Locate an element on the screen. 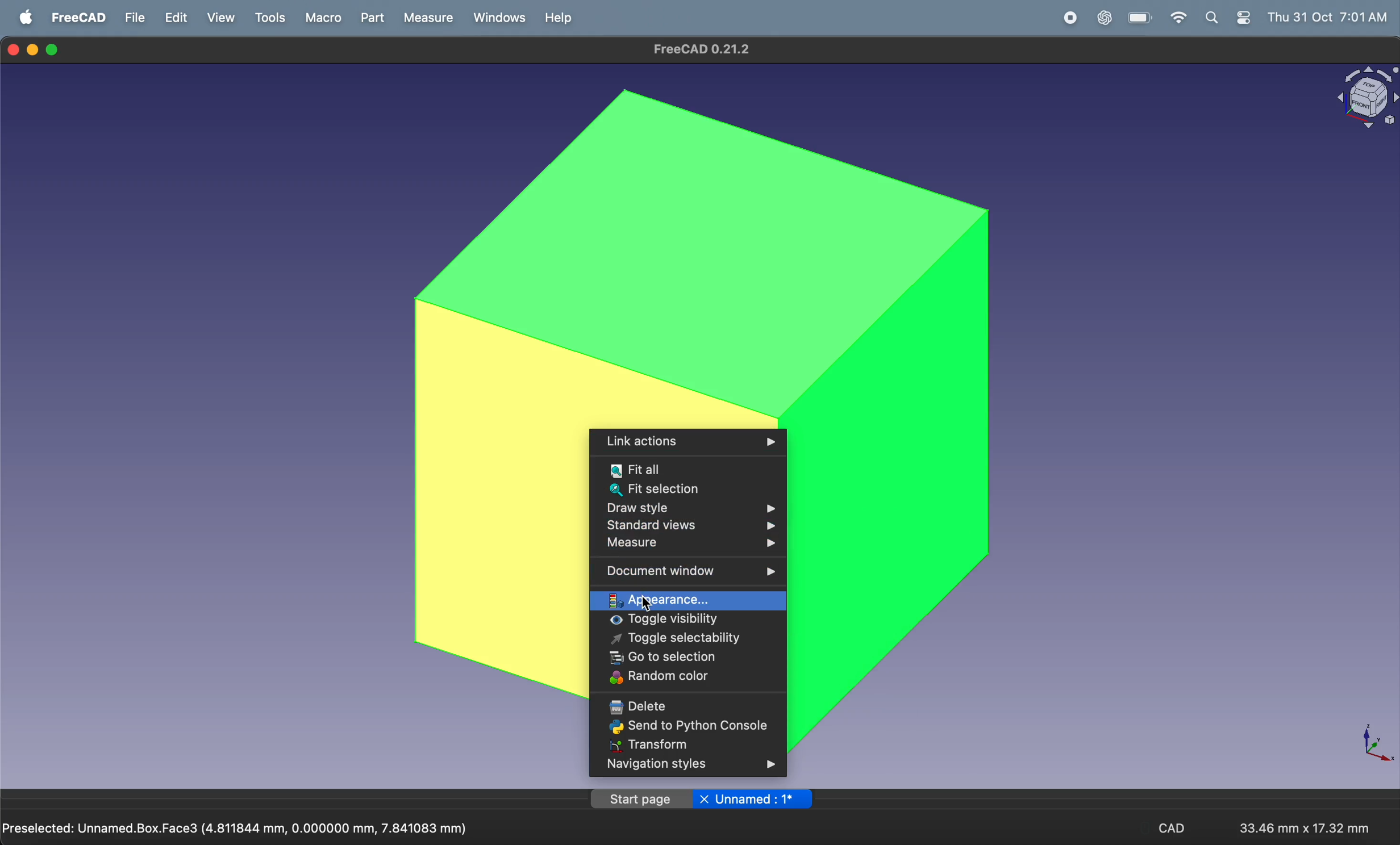  transform is located at coordinates (686, 746).